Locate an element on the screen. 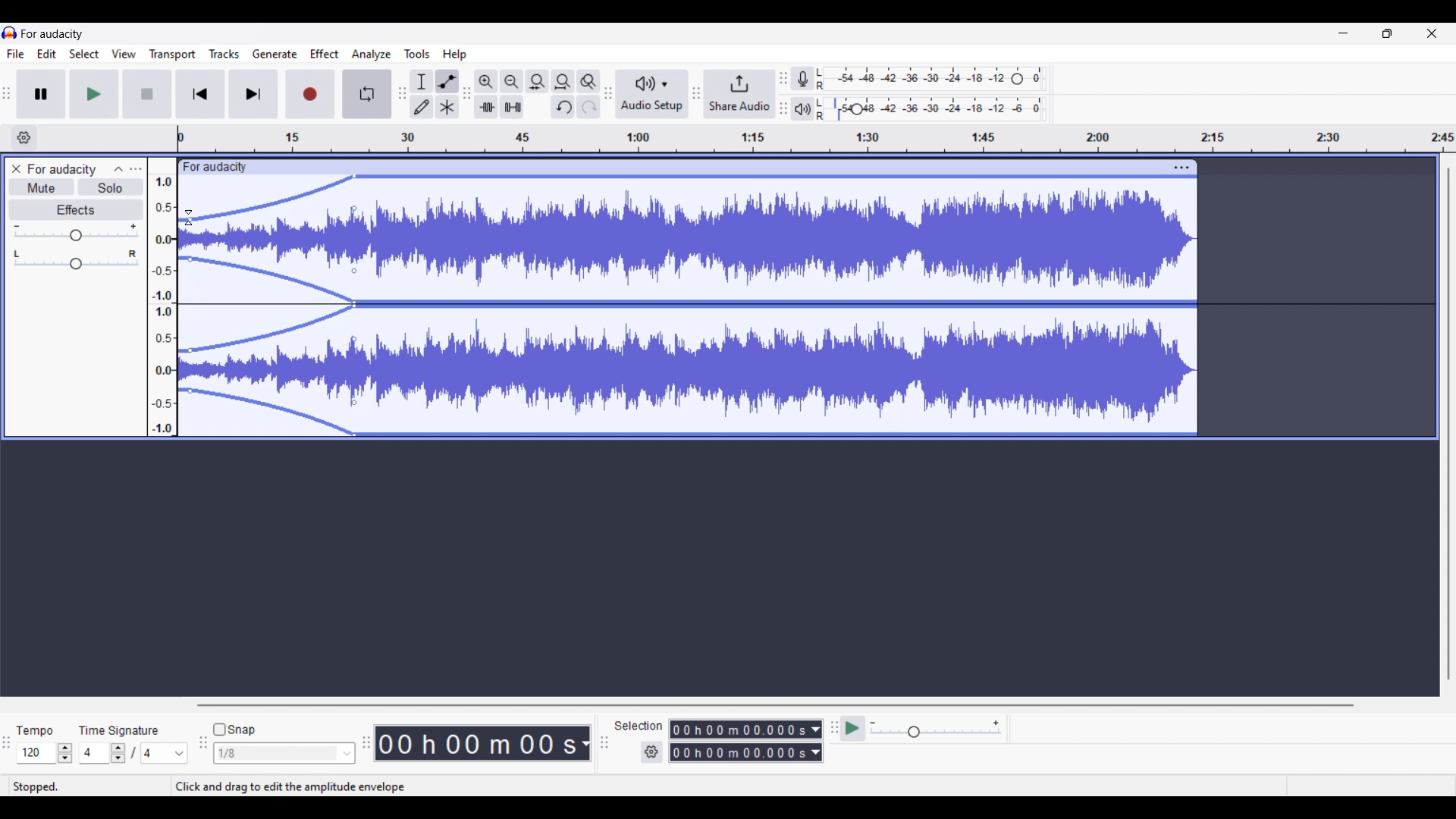 The height and width of the screenshot is (819, 1456). Help is located at coordinates (454, 55).